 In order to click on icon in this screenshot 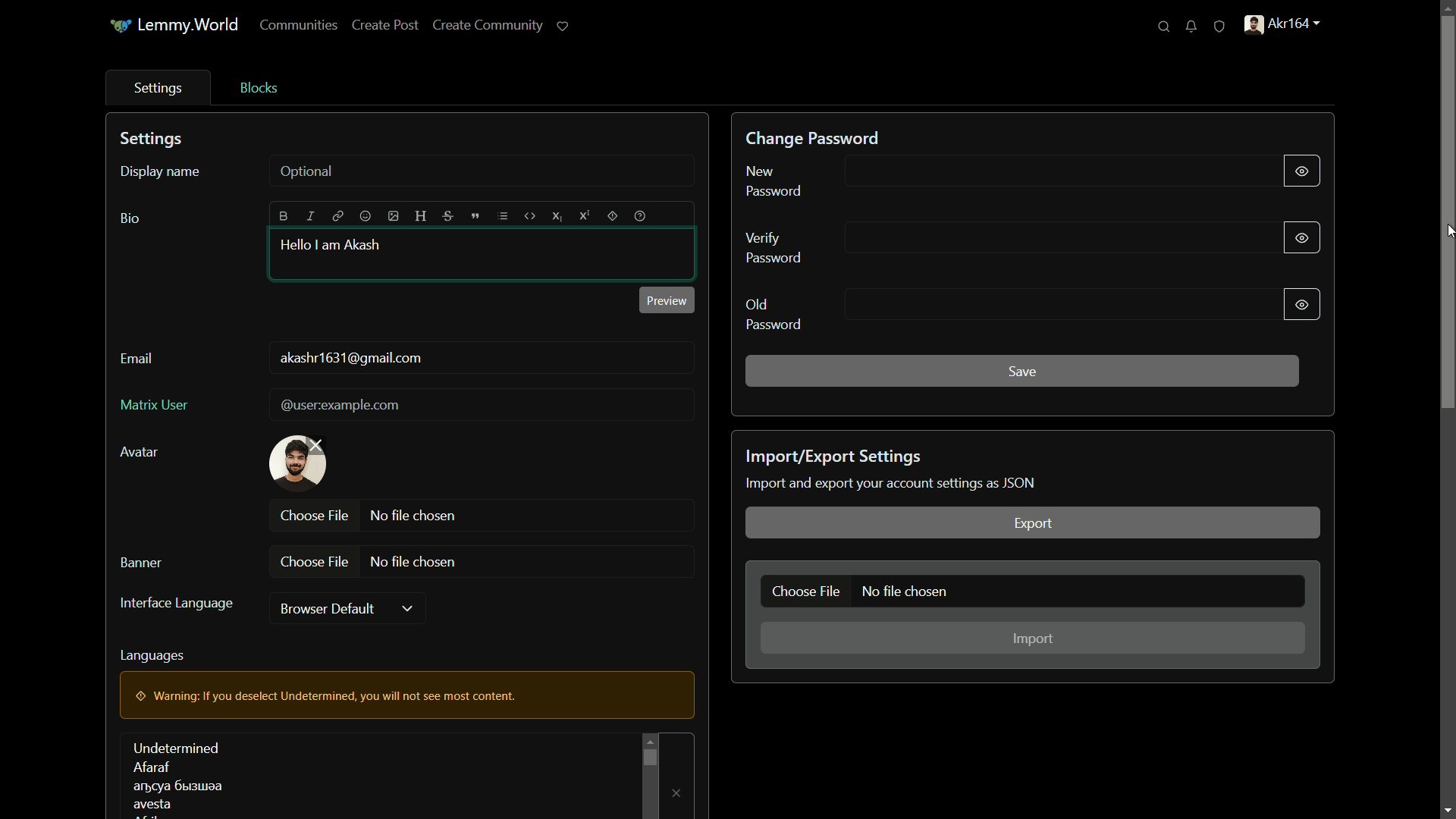, I will do `click(120, 26)`.